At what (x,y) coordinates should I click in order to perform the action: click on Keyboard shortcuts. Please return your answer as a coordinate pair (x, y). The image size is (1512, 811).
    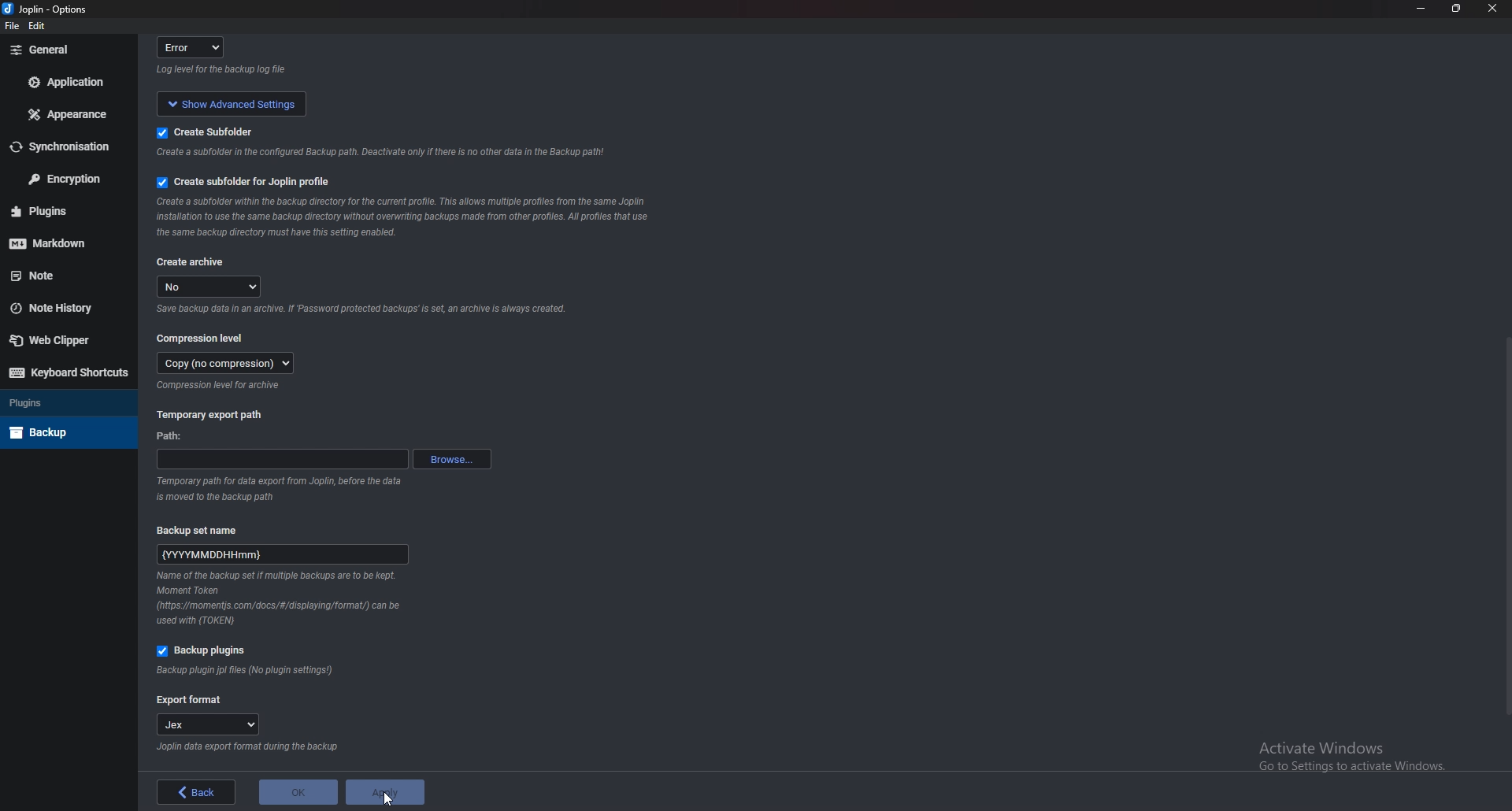
    Looking at the image, I should click on (69, 372).